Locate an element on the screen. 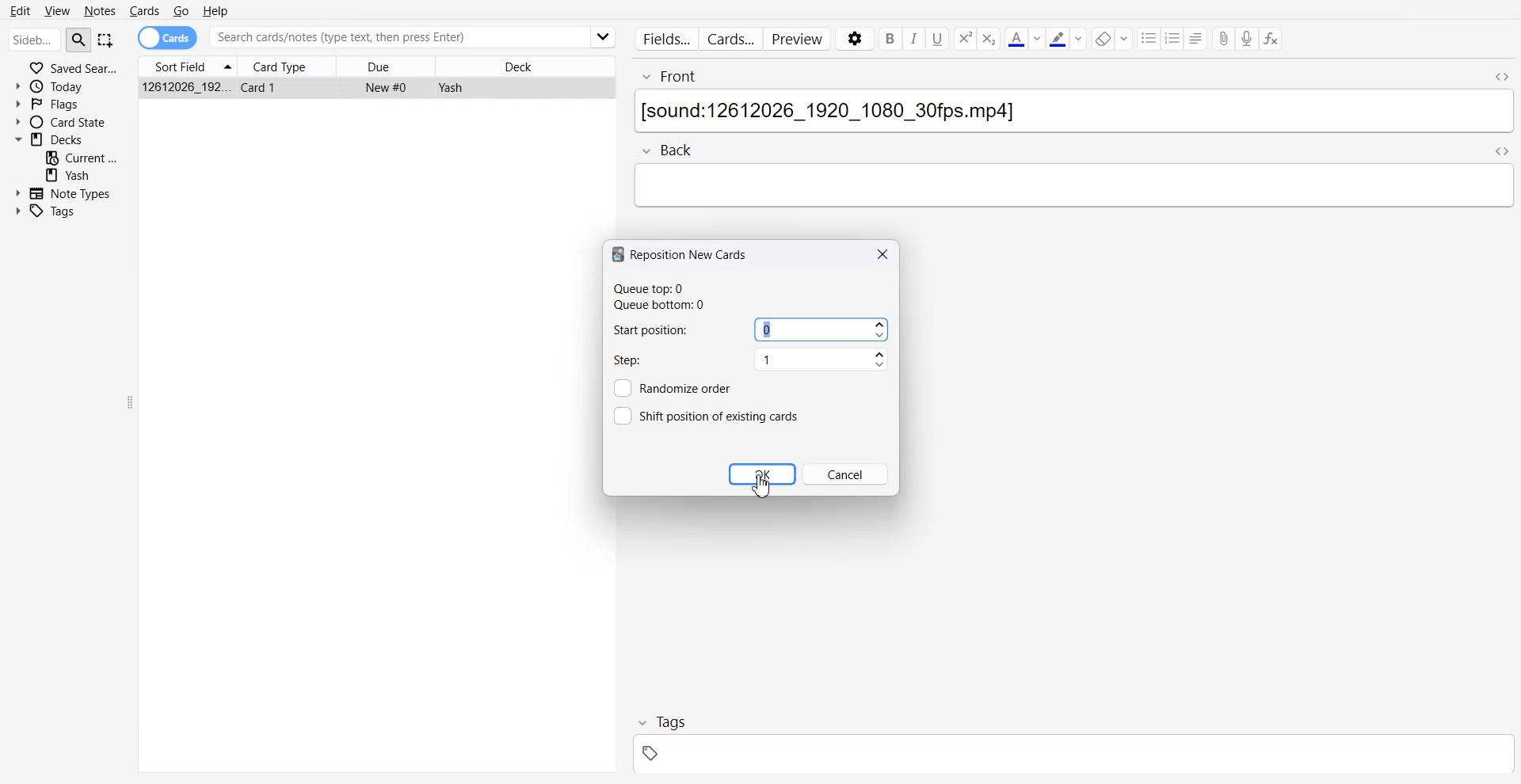 Image resolution: width=1521 pixels, height=784 pixels. Settings is located at coordinates (853, 40).